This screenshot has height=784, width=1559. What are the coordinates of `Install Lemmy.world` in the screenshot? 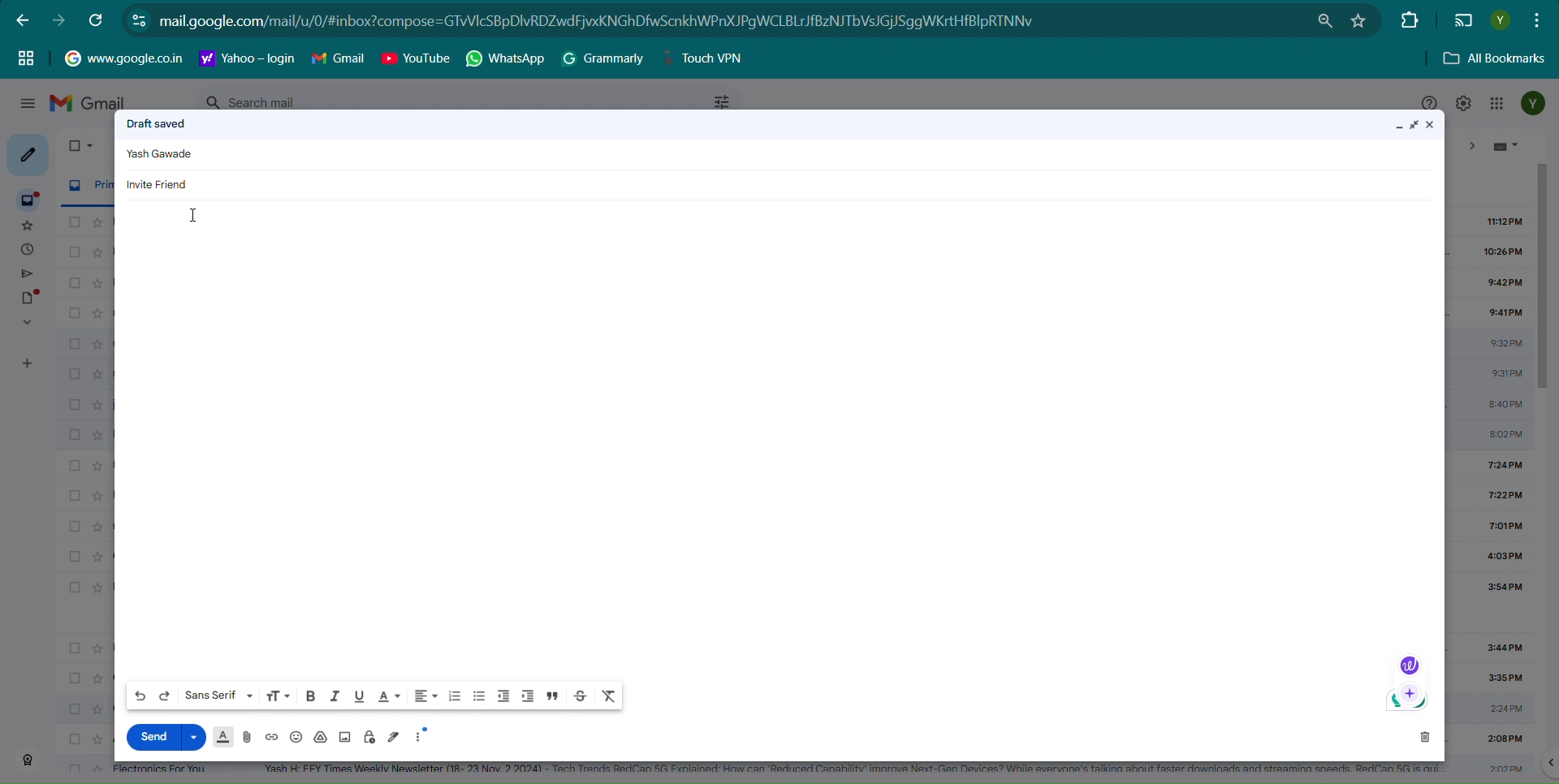 It's located at (1328, 21).